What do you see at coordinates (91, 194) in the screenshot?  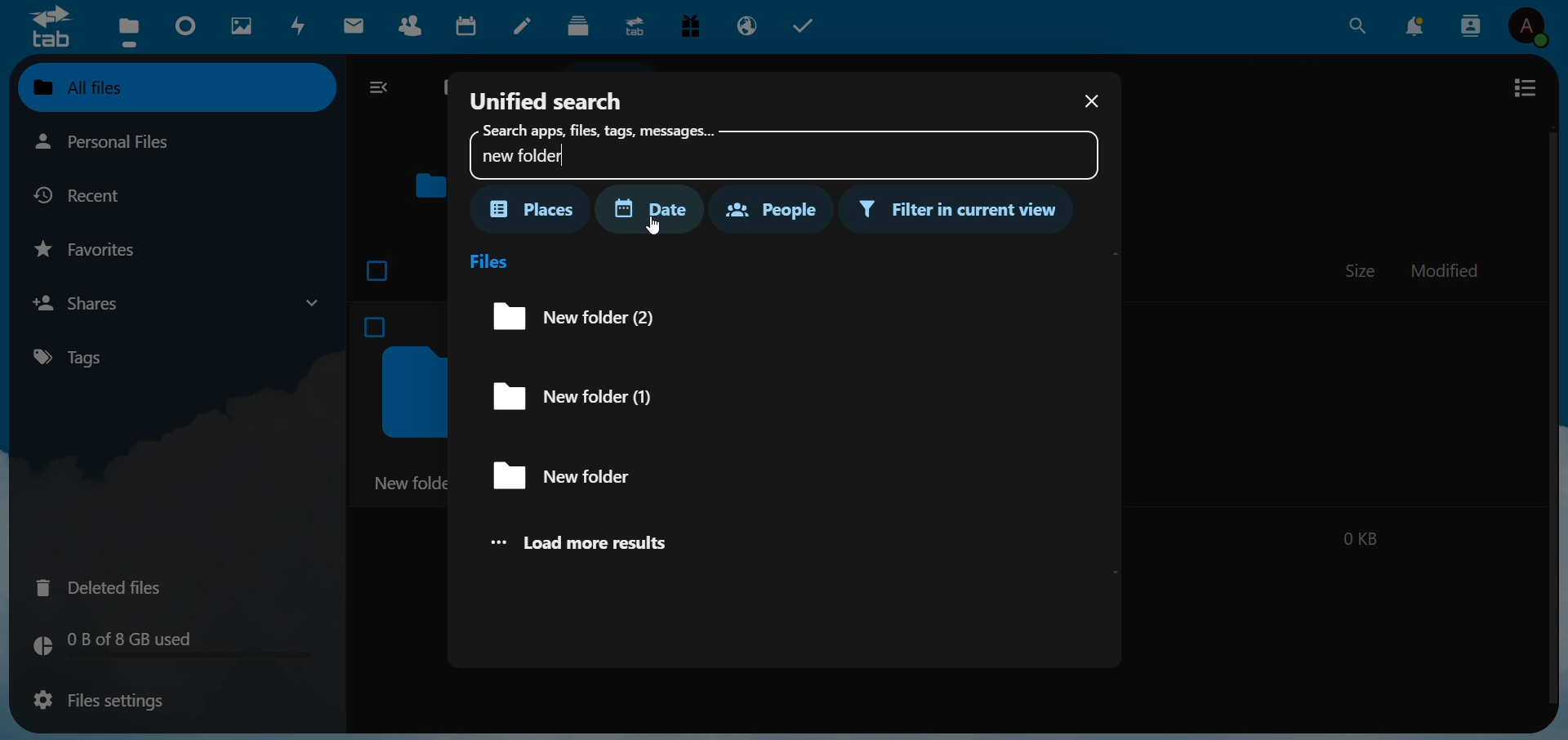 I see `recent` at bounding box center [91, 194].